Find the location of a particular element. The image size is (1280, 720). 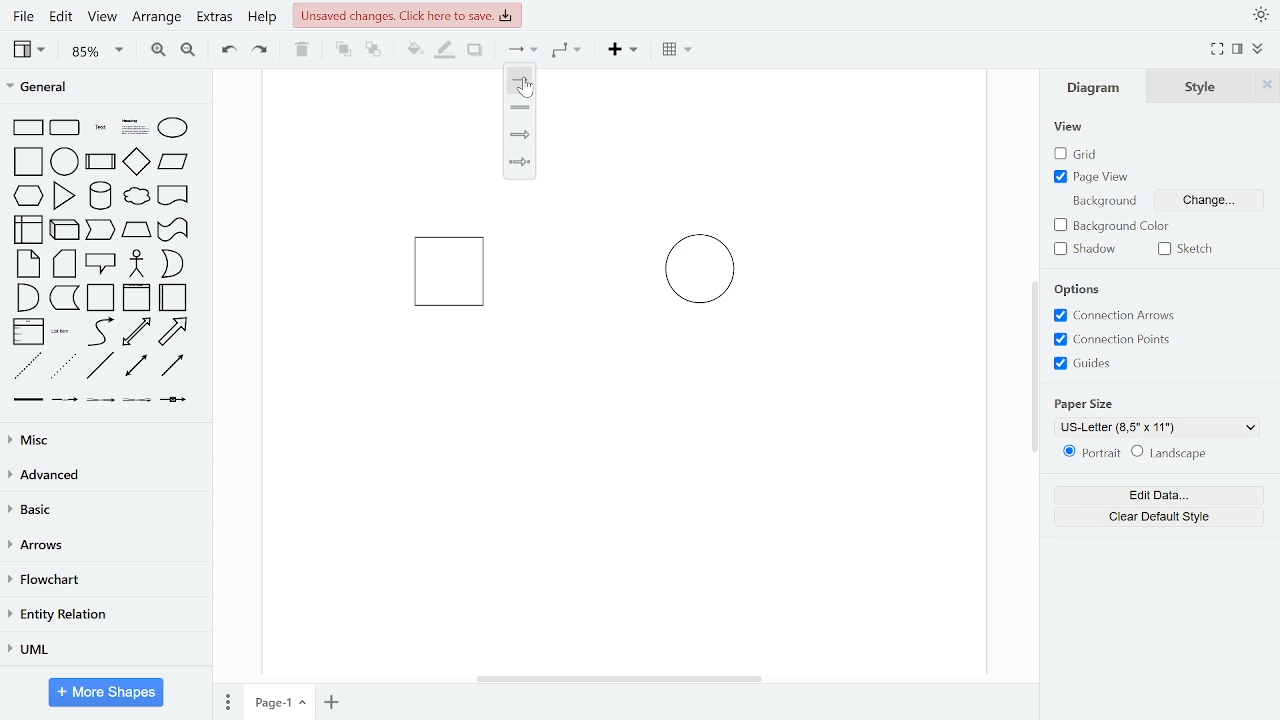

text is located at coordinates (102, 129).